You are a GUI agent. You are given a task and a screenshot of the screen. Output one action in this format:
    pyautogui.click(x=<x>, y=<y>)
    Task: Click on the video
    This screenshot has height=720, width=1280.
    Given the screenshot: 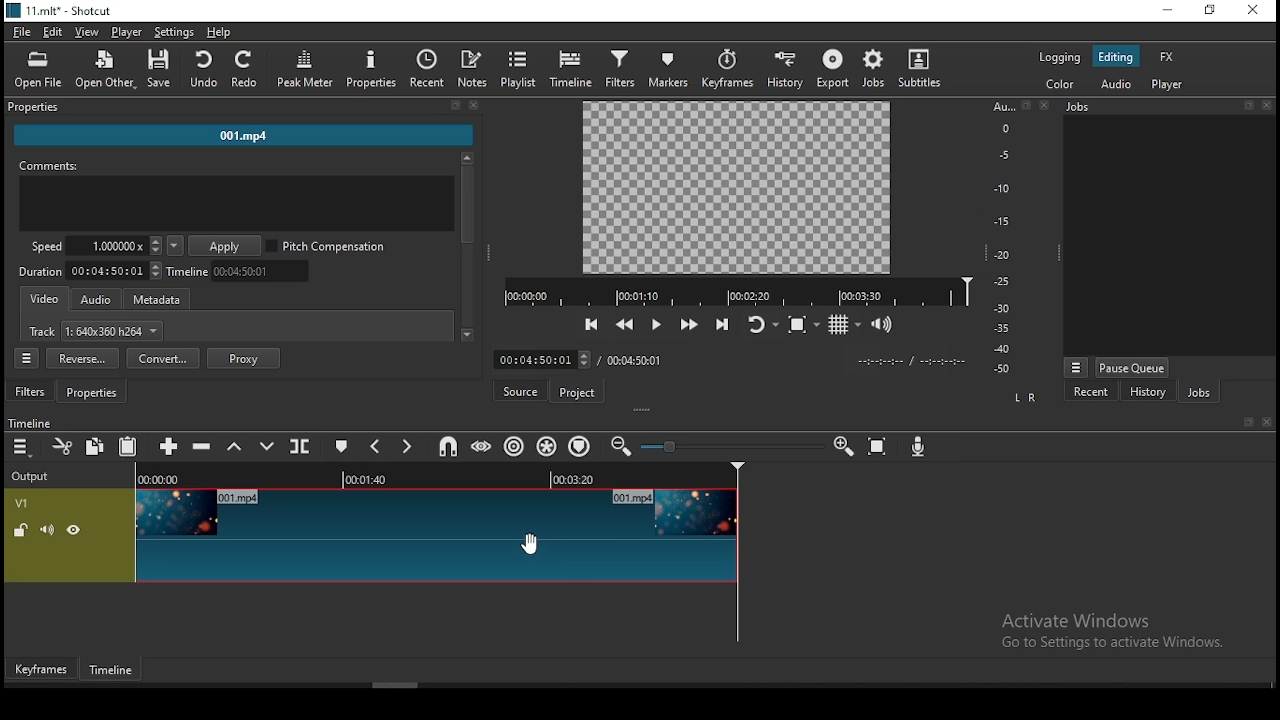 What is the action you would take?
    pyautogui.click(x=45, y=301)
    